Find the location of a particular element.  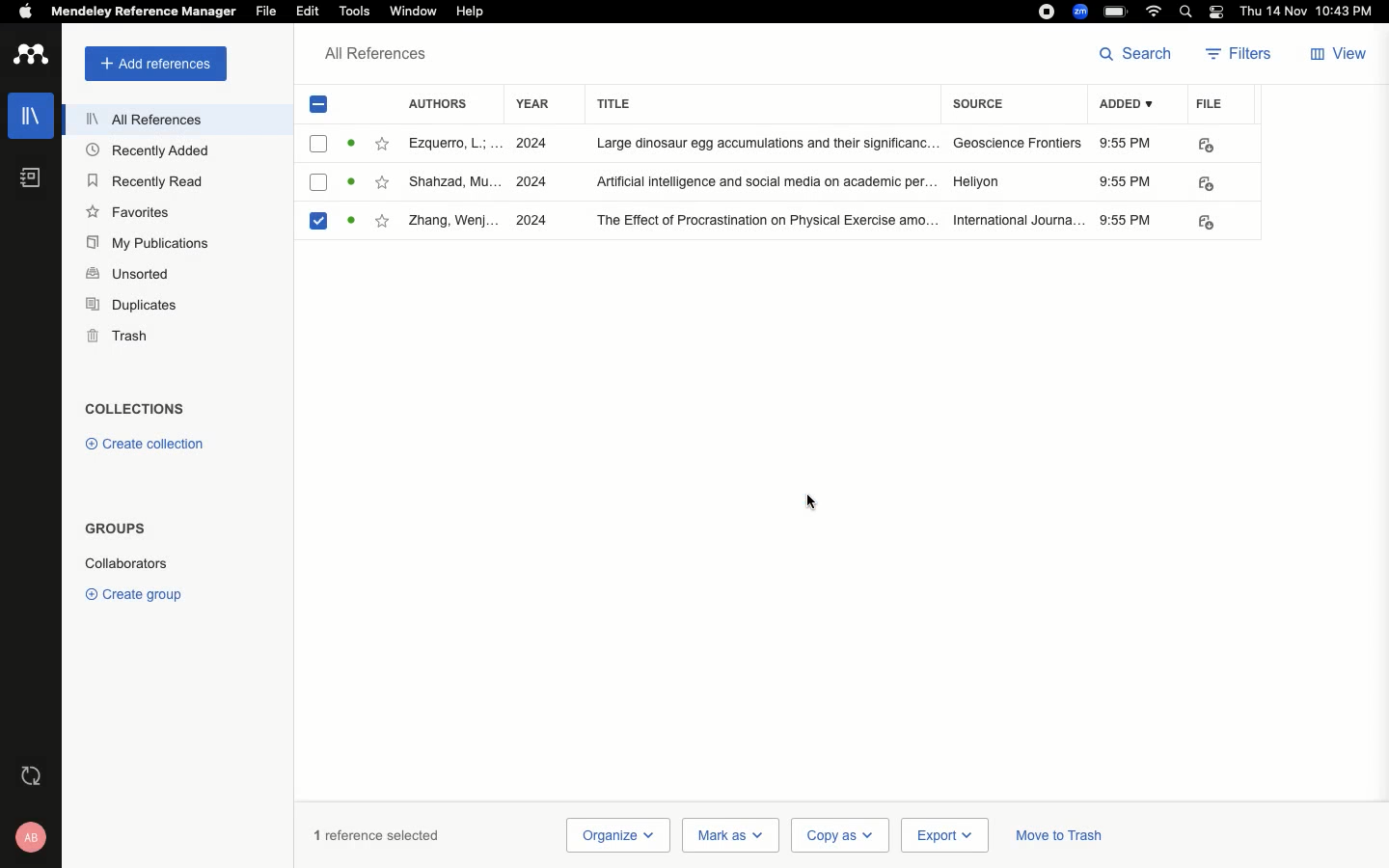

Notebook is located at coordinates (29, 177).